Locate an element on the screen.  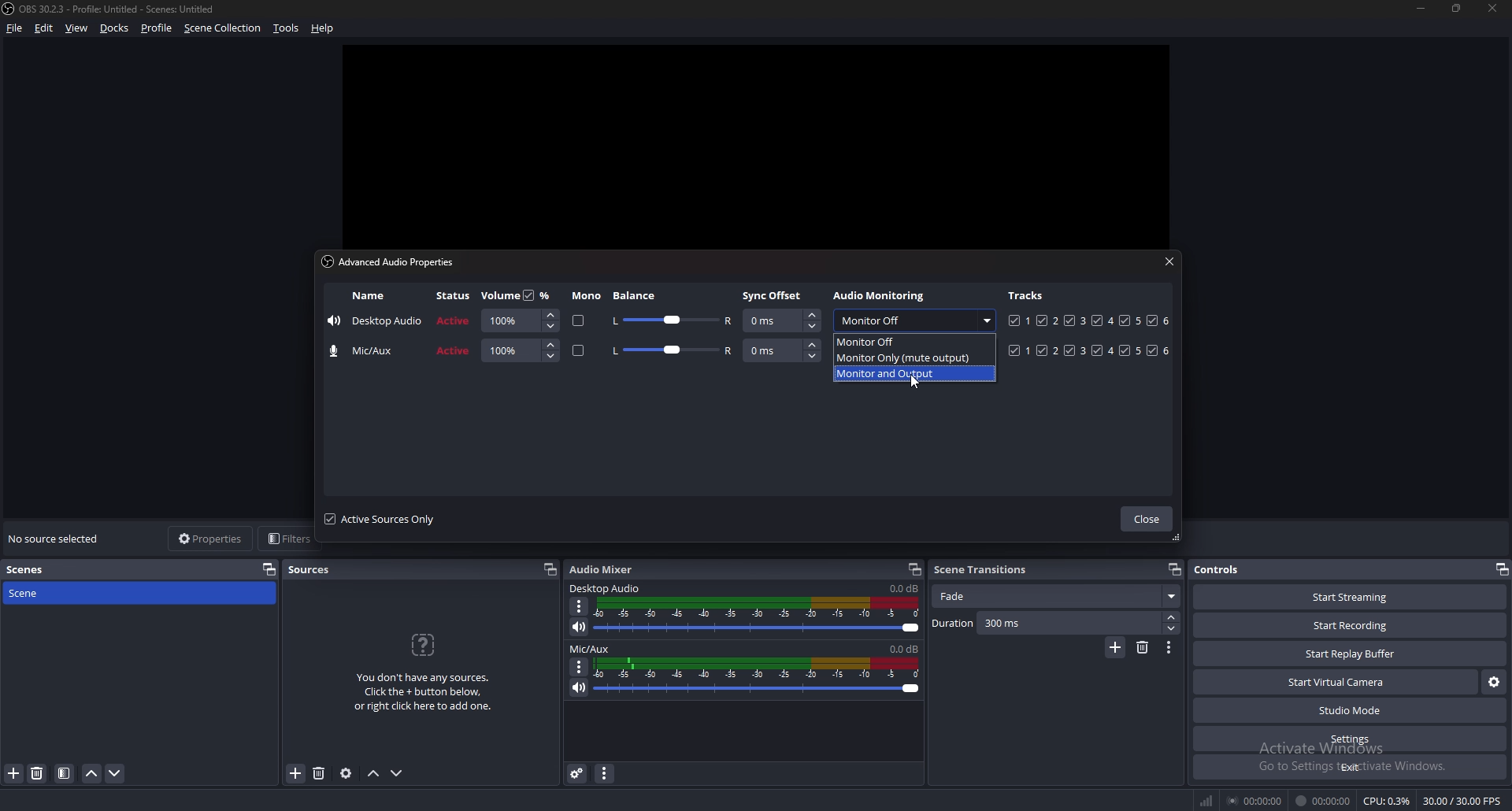
advanced audio properties is located at coordinates (579, 774).